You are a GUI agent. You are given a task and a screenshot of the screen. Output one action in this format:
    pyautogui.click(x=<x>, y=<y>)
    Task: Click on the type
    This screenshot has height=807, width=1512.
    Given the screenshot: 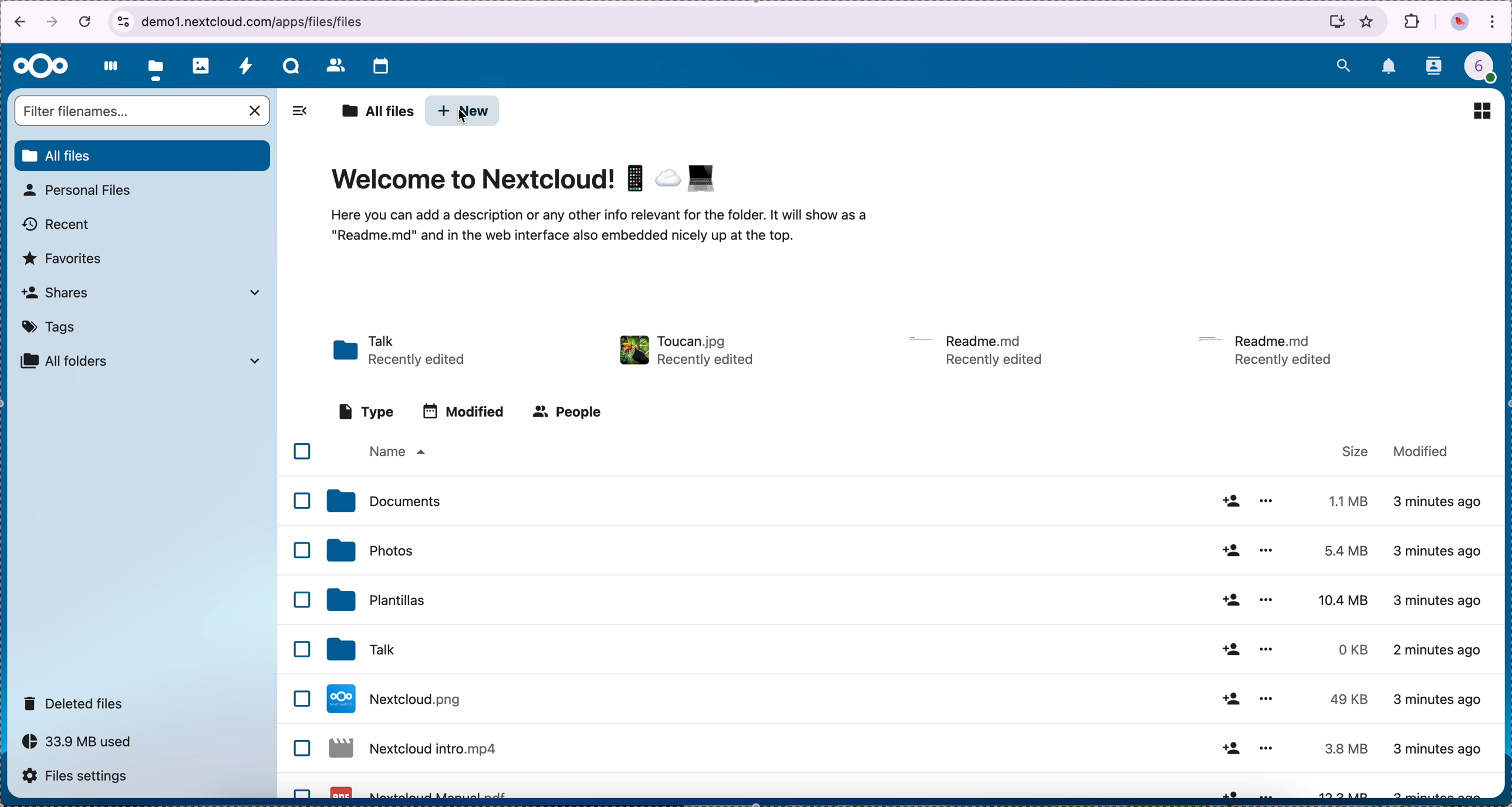 What is the action you would take?
    pyautogui.click(x=367, y=412)
    